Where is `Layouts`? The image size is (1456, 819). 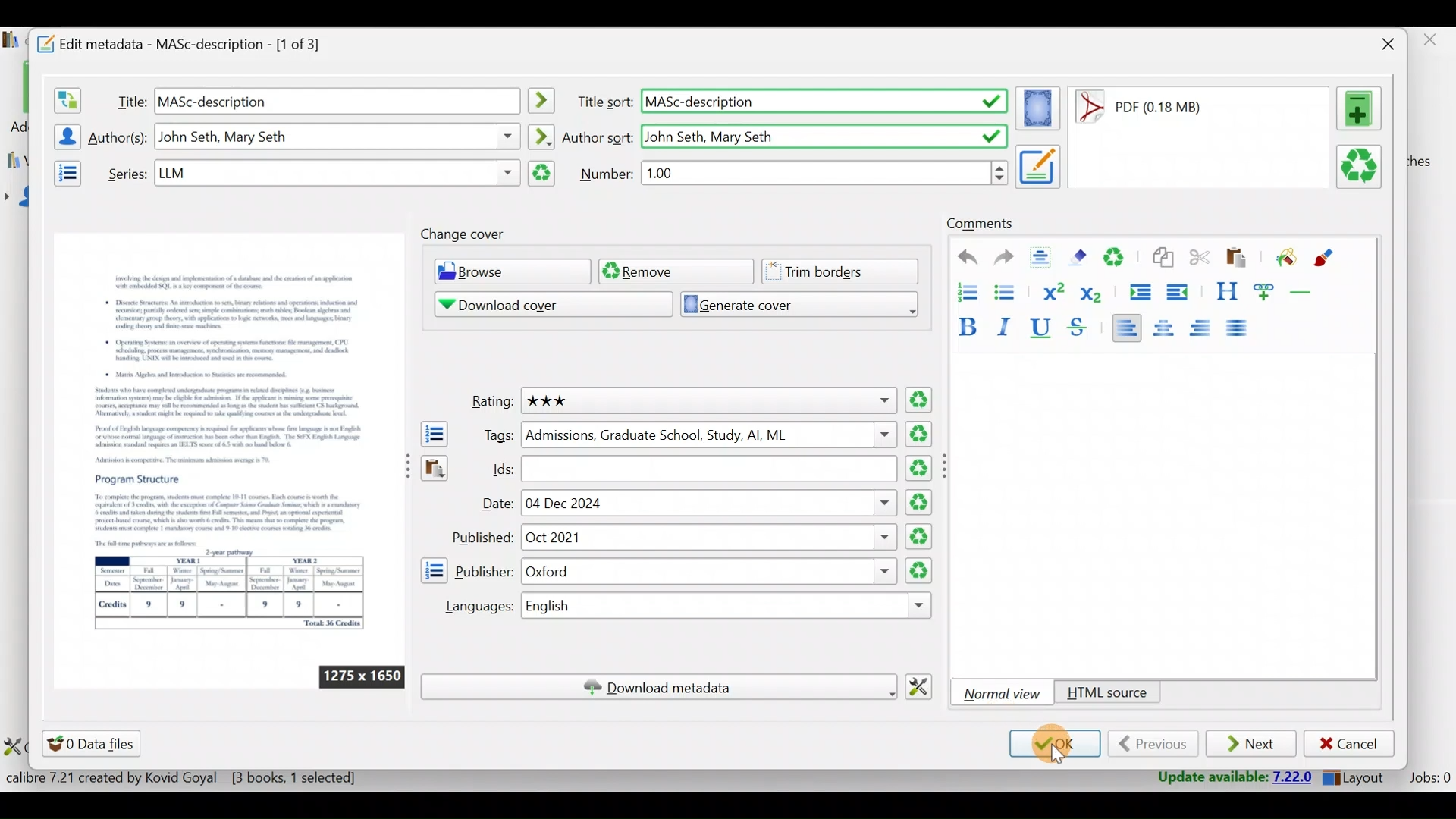
Layouts is located at coordinates (1358, 777).